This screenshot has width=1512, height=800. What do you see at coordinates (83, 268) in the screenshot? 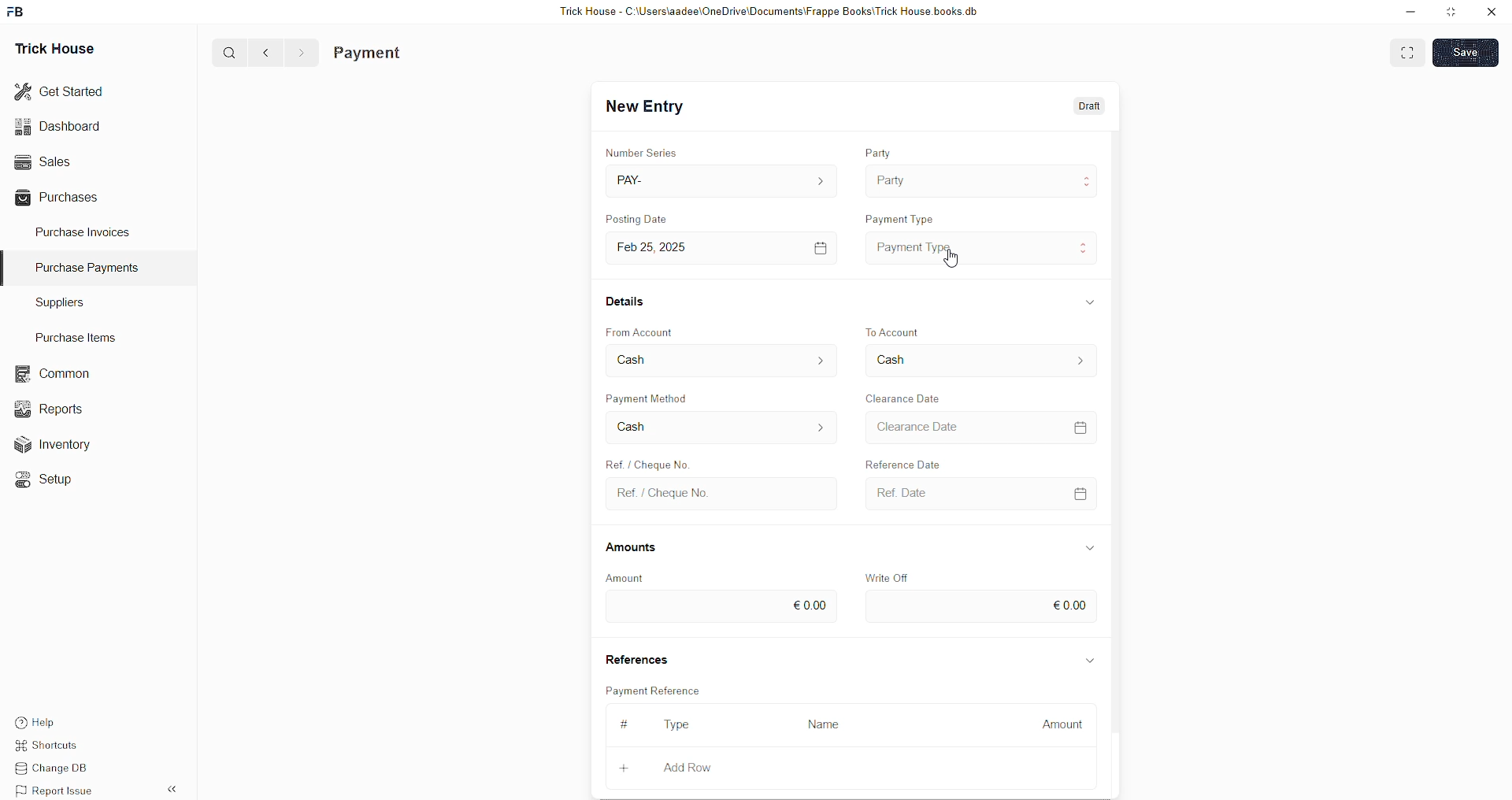
I see `Purchase PaymenTS` at bounding box center [83, 268].